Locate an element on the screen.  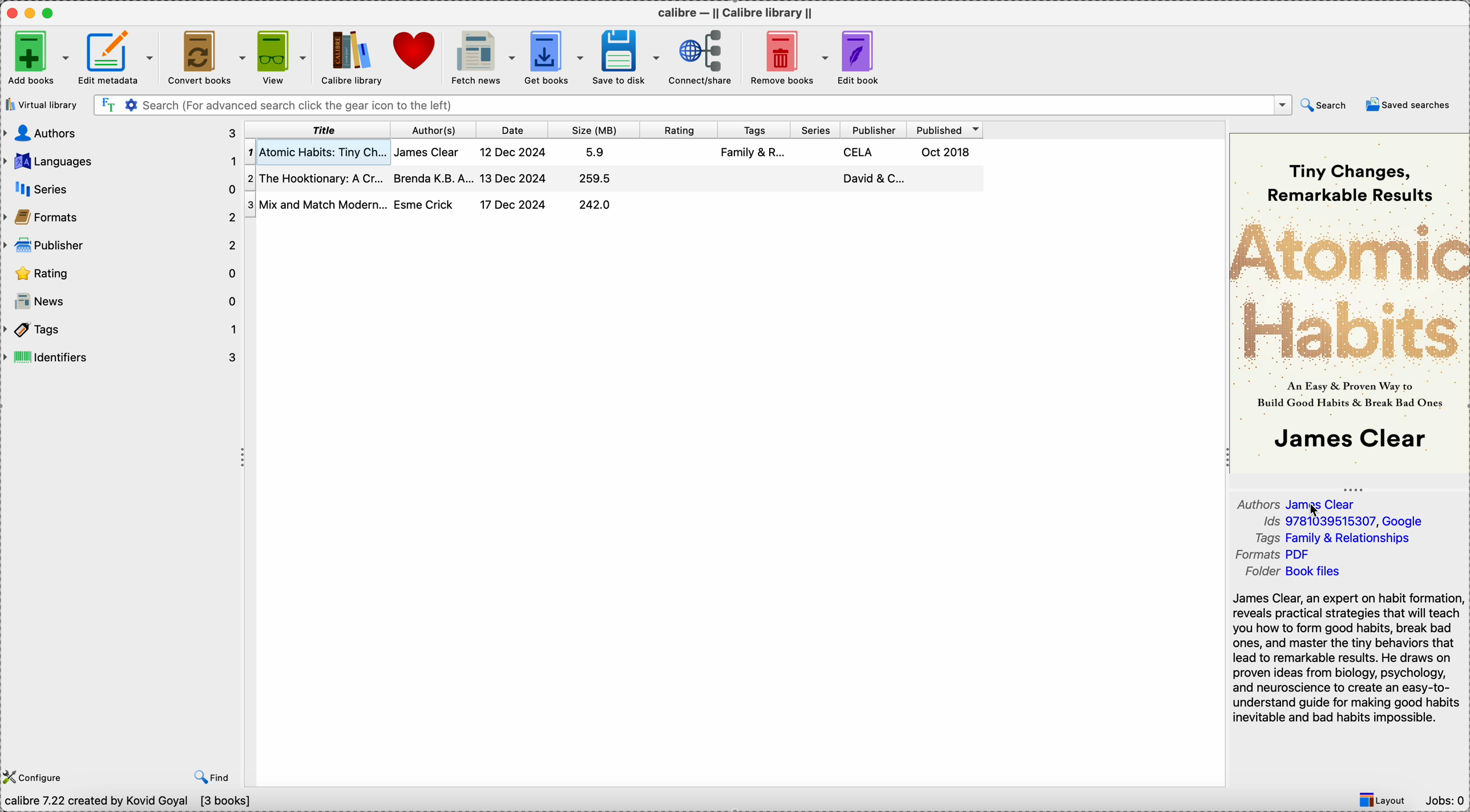
Oct 2018 is located at coordinates (945, 152).